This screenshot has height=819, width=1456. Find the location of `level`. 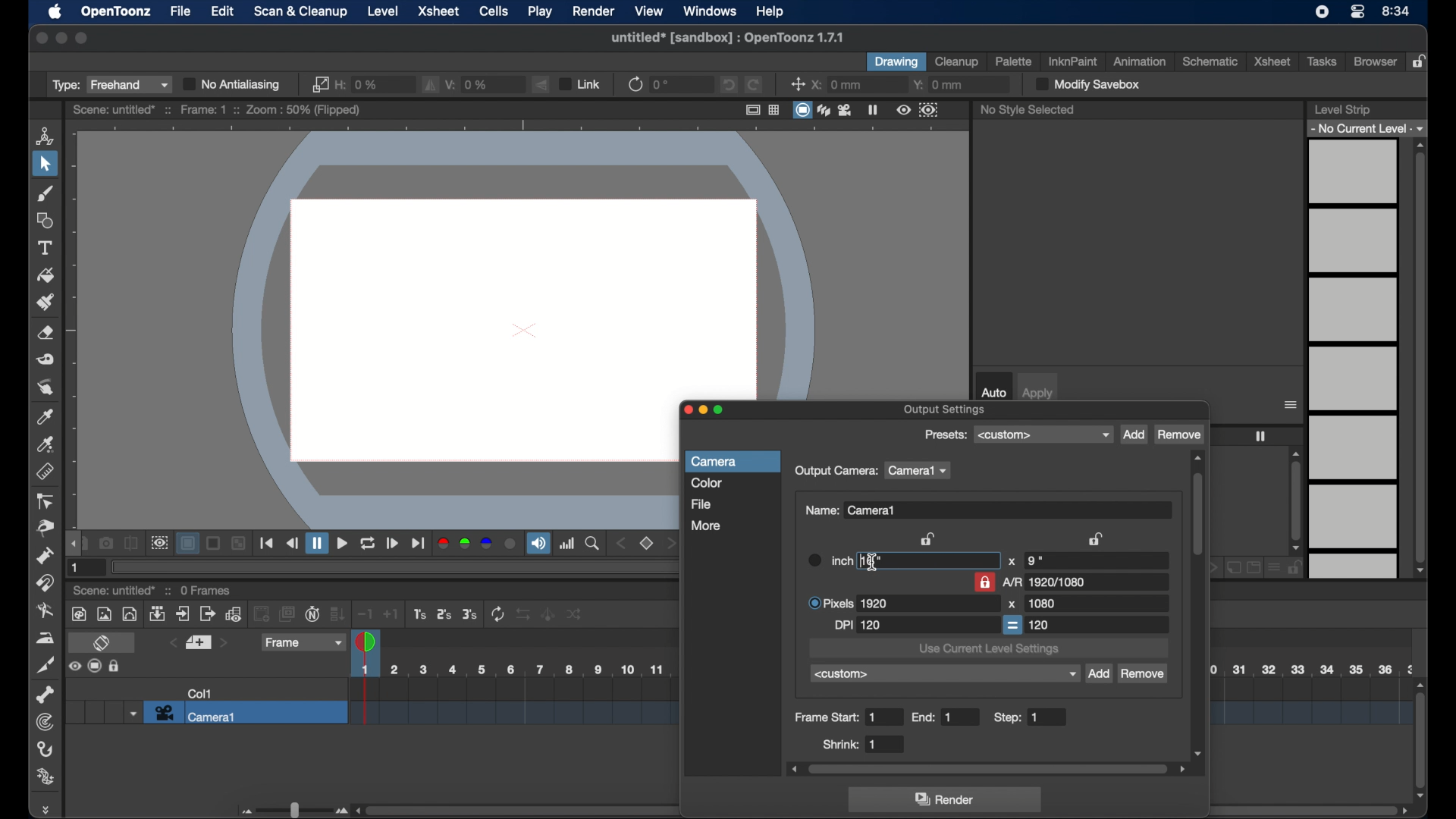

level is located at coordinates (383, 11).